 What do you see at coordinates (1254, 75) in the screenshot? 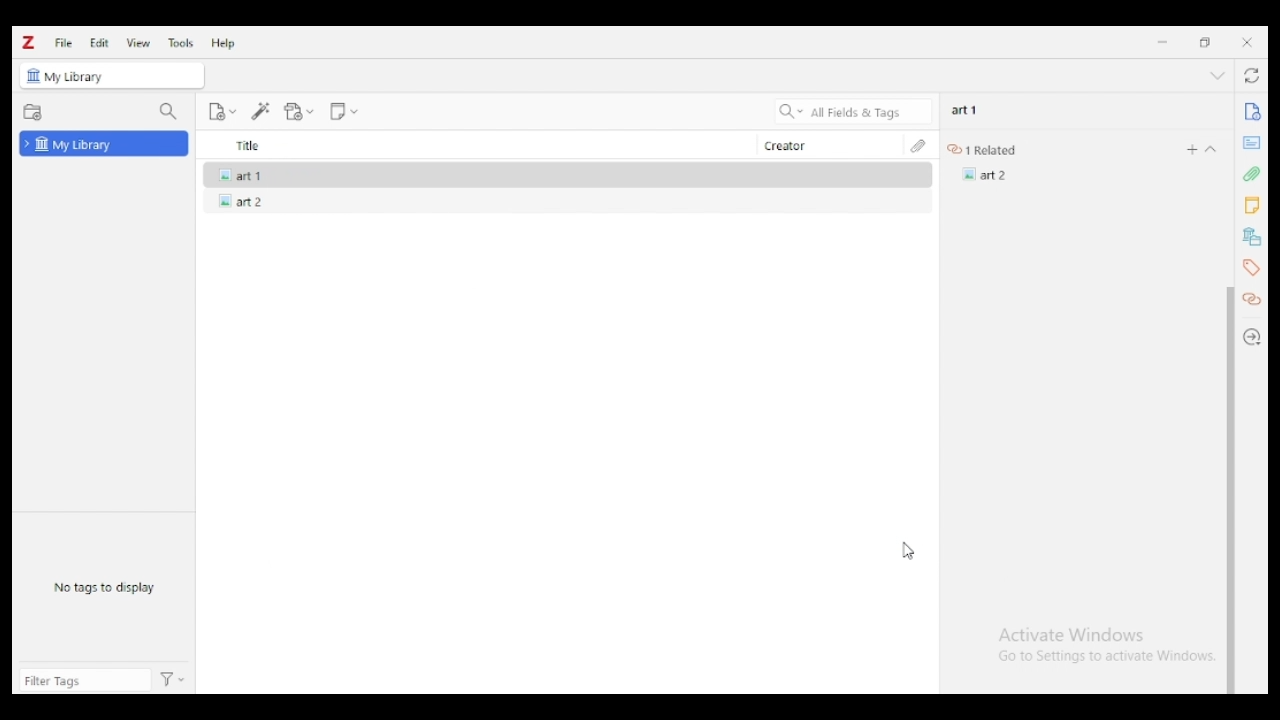
I see `sync with zotero.org` at bounding box center [1254, 75].